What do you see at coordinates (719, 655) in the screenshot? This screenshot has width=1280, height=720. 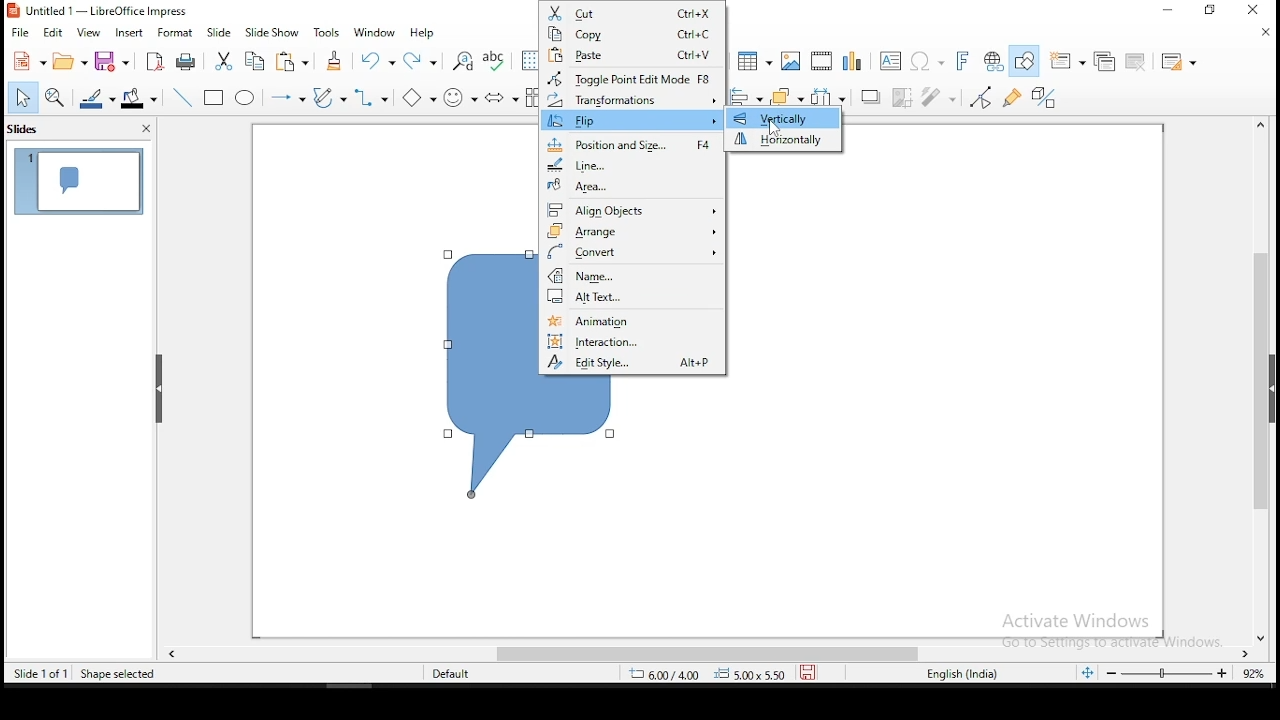 I see `scroll bar` at bounding box center [719, 655].